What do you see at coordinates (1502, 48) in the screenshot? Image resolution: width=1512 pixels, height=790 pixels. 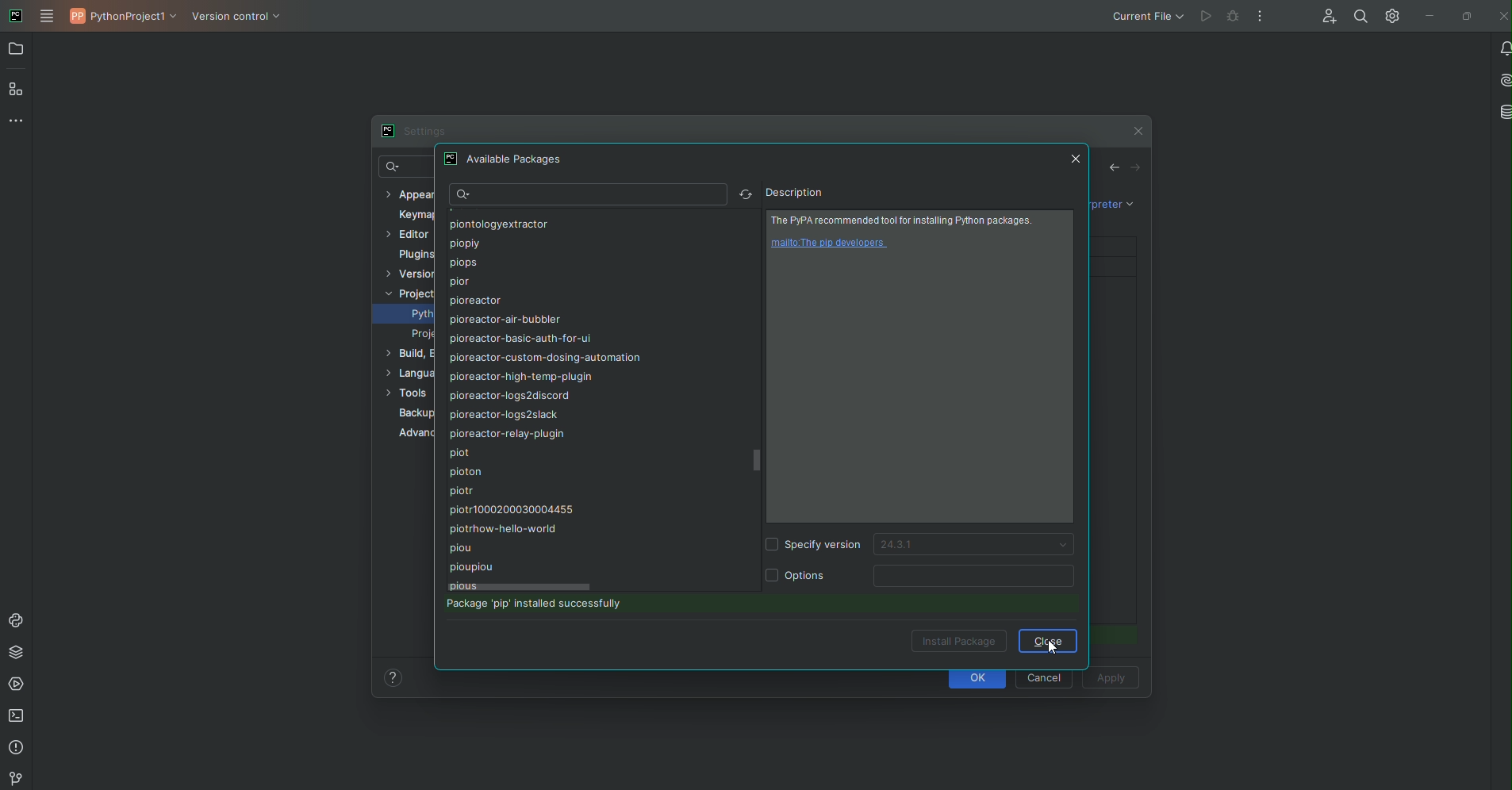 I see `Notifications` at bounding box center [1502, 48].